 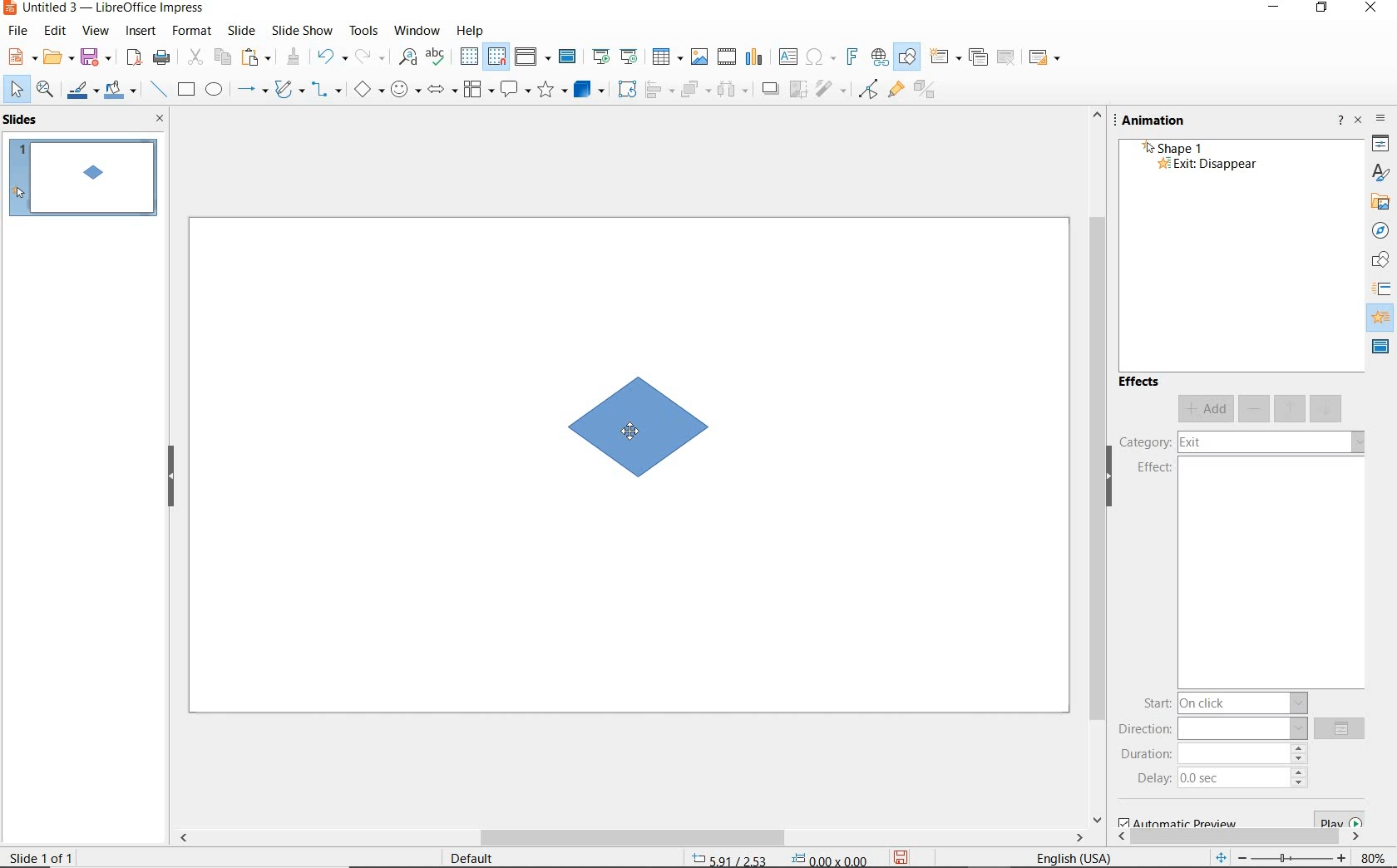 I want to click on close, so click(x=1371, y=8).